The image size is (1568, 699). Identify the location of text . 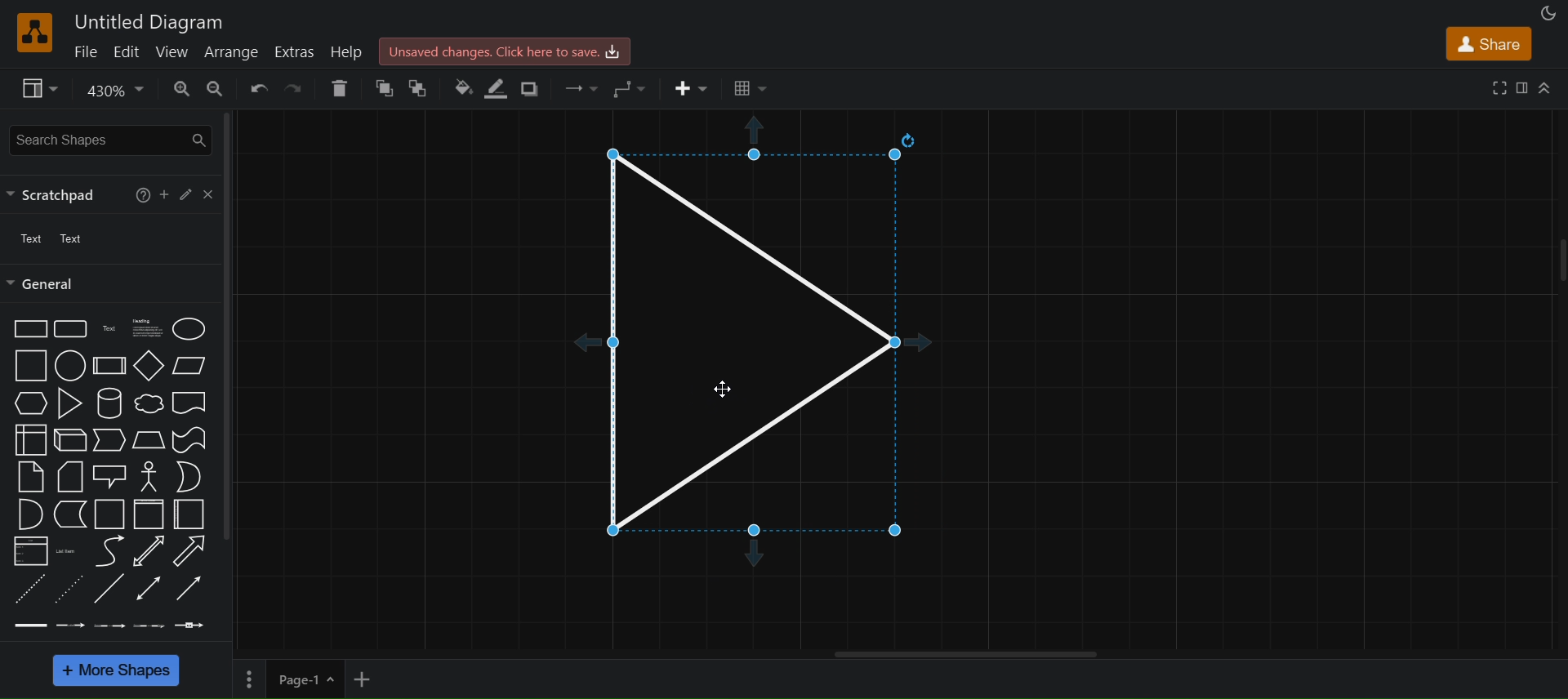
(56, 239).